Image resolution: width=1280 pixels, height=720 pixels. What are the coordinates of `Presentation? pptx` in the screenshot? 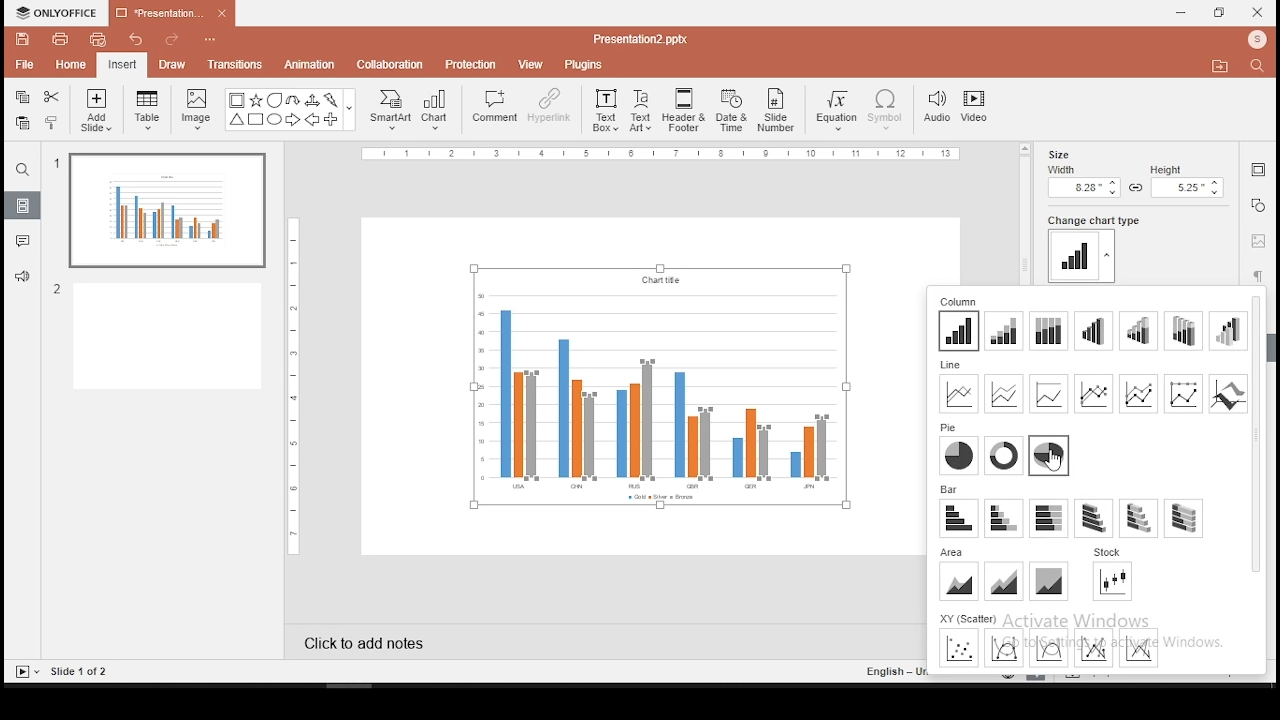 It's located at (638, 39).